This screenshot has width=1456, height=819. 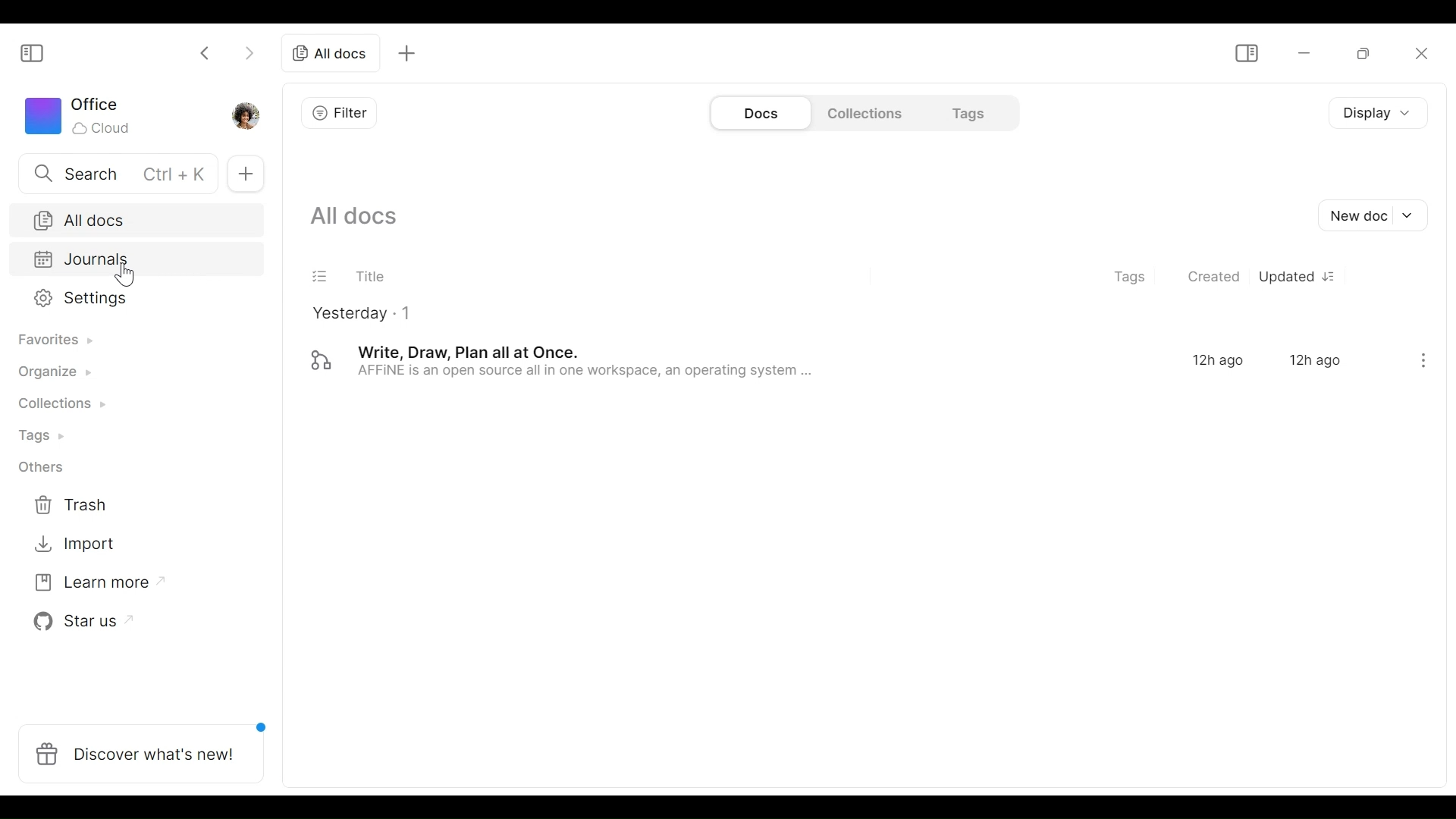 What do you see at coordinates (79, 622) in the screenshot?
I see `Star us` at bounding box center [79, 622].